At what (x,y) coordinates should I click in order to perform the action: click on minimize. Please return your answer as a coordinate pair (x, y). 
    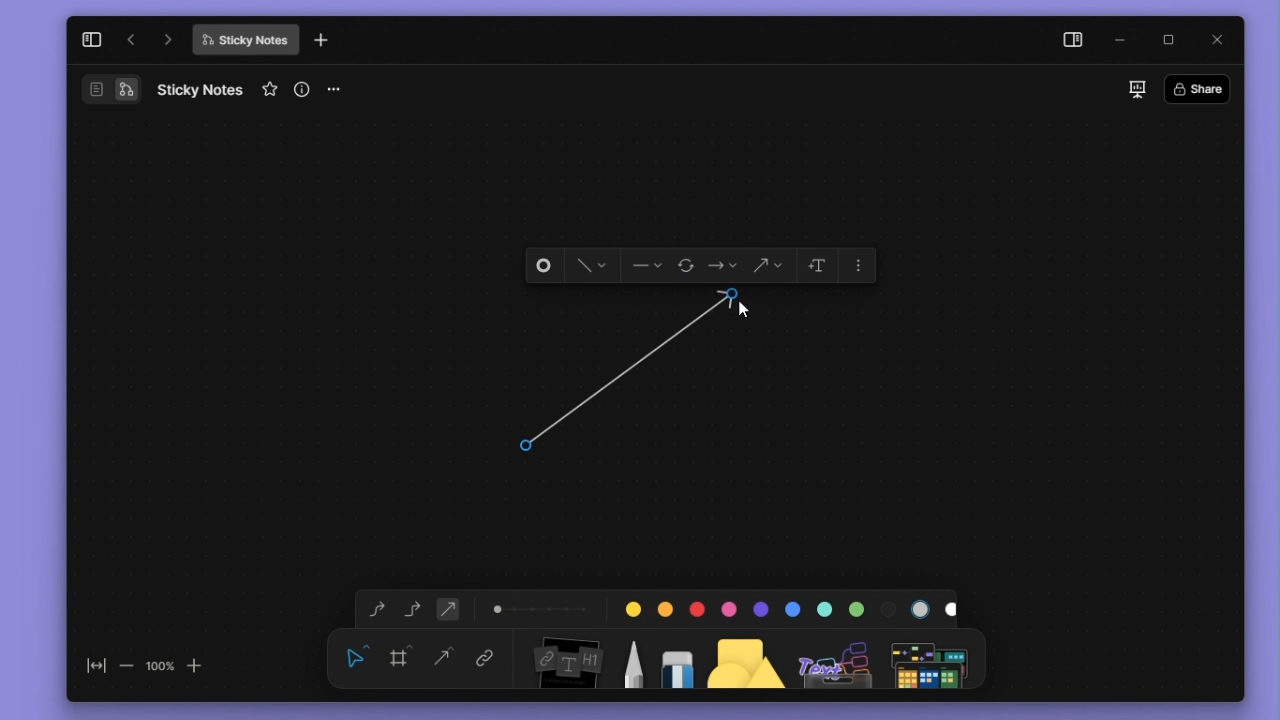
    Looking at the image, I should click on (1125, 41).